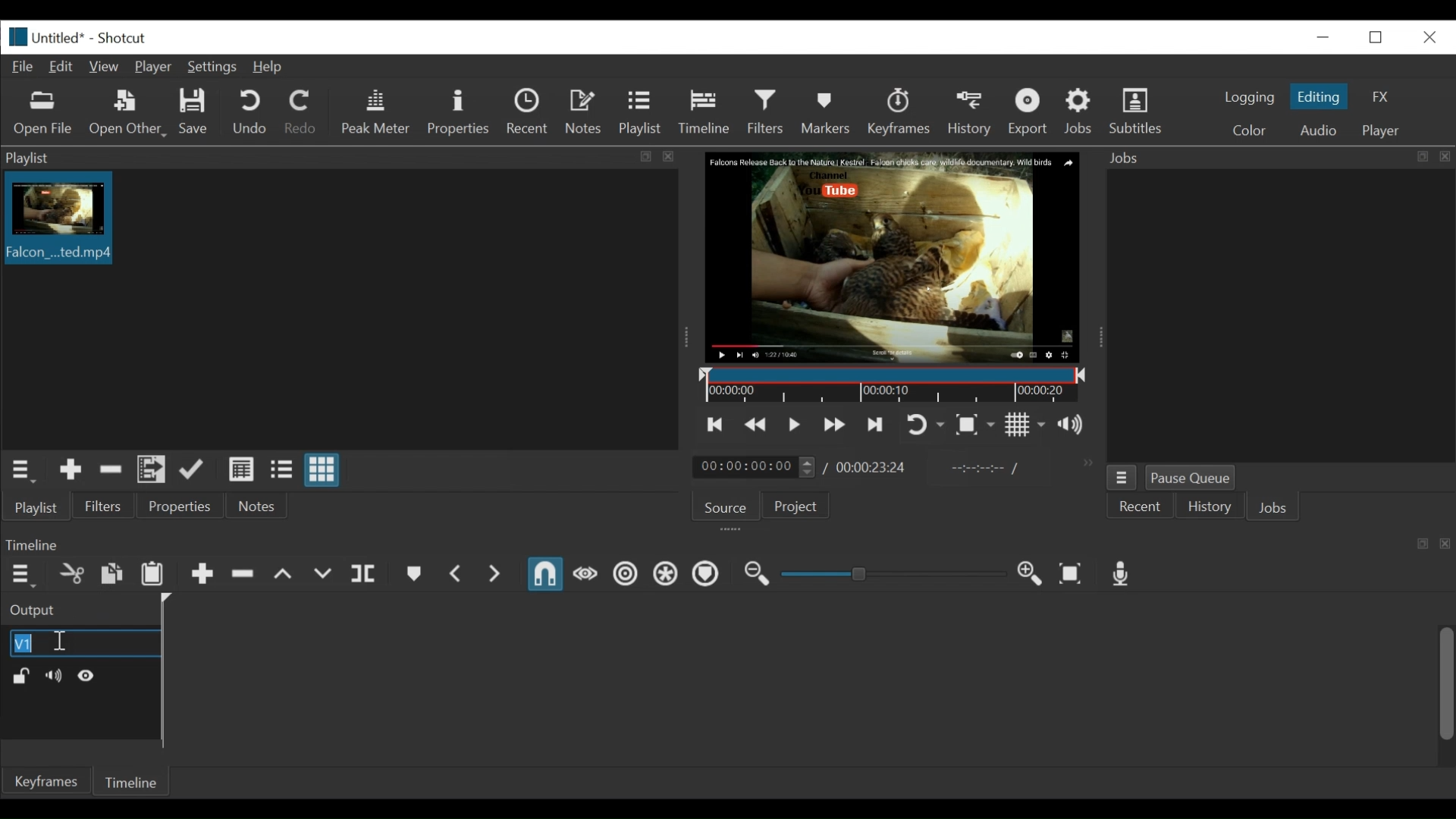 The image size is (1456, 819). What do you see at coordinates (337, 309) in the screenshot?
I see `Clip thumbnail` at bounding box center [337, 309].